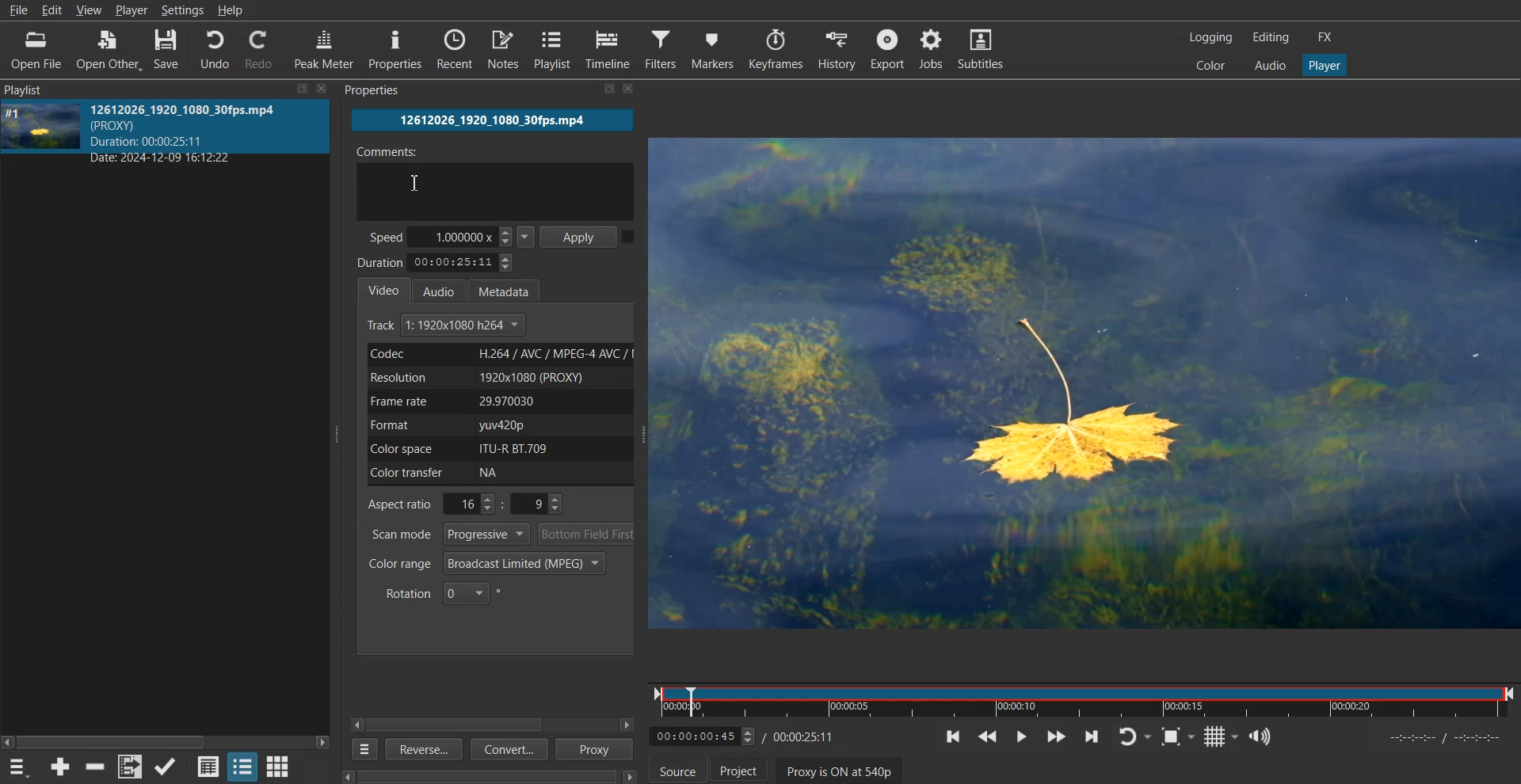  I want to click on Text cursor, so click(414, 182).